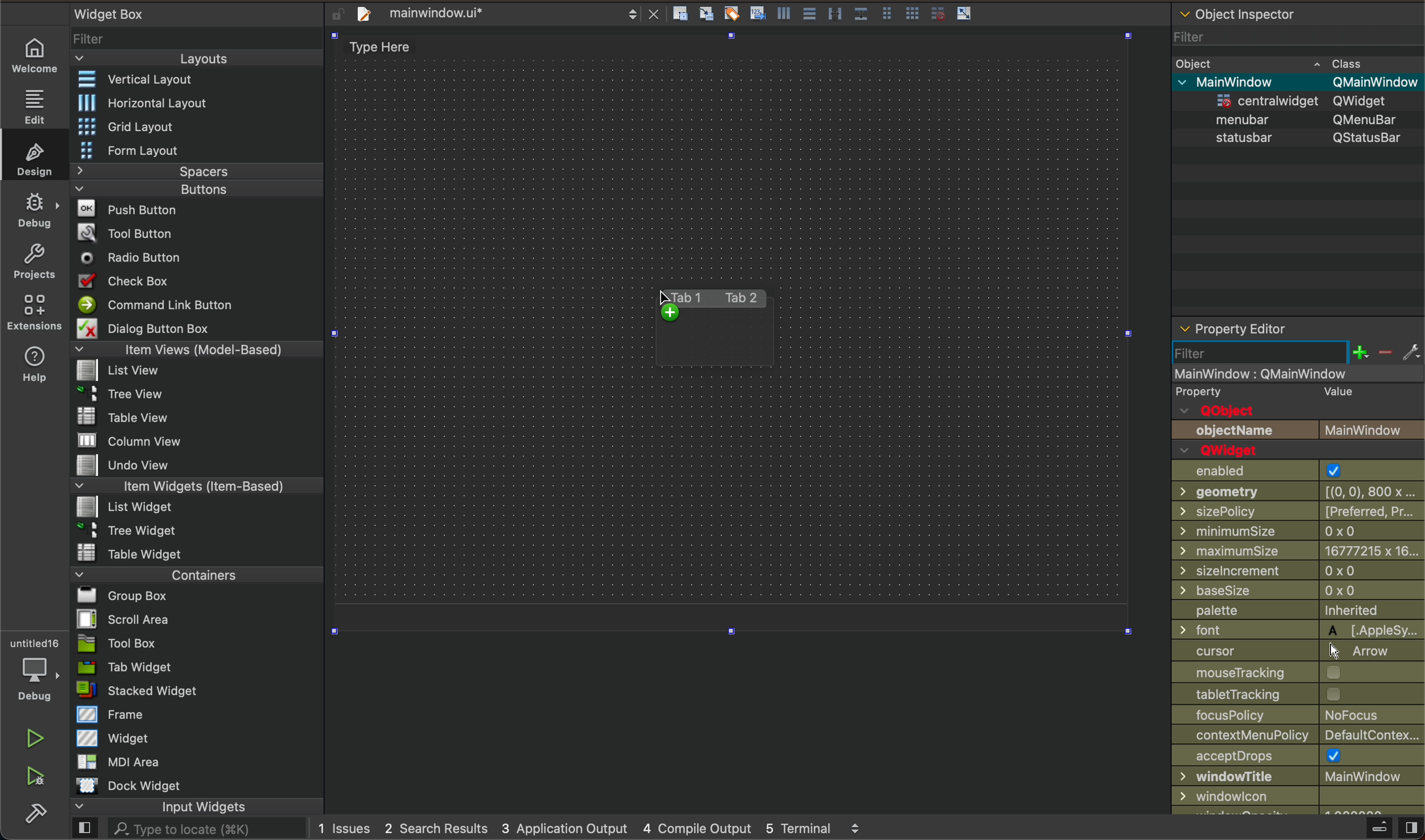 The height and width of the screenshot is (840, 1425). Describe the element at coordinates (1294, 98) in the screenshot. I see `=centralwidaet OWidaet` at that location.